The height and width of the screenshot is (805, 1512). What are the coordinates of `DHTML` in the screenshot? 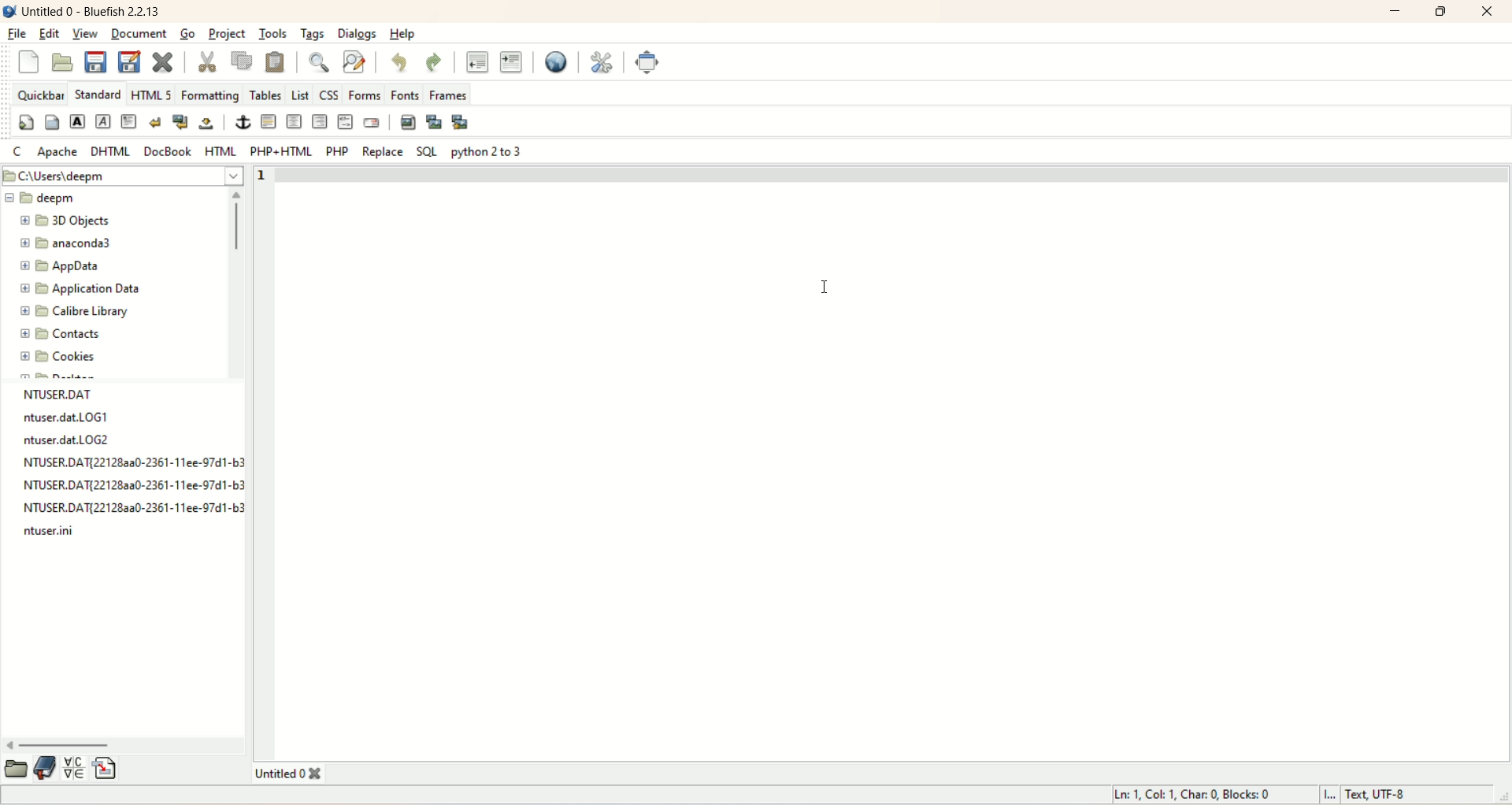 It's located at (111, 152).